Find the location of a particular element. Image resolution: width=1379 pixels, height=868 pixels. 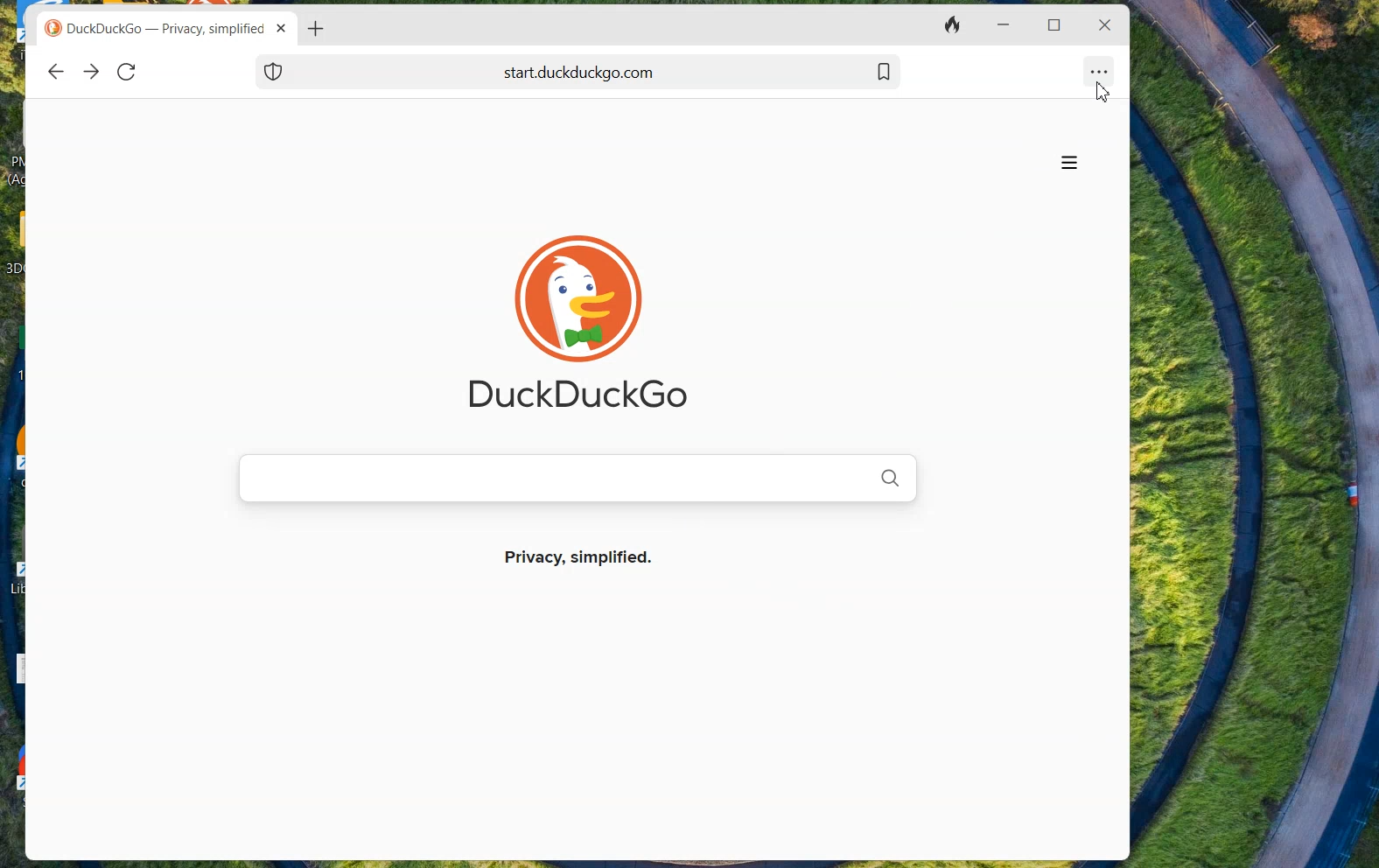

Bookmark is located at coordinates (884, 71).